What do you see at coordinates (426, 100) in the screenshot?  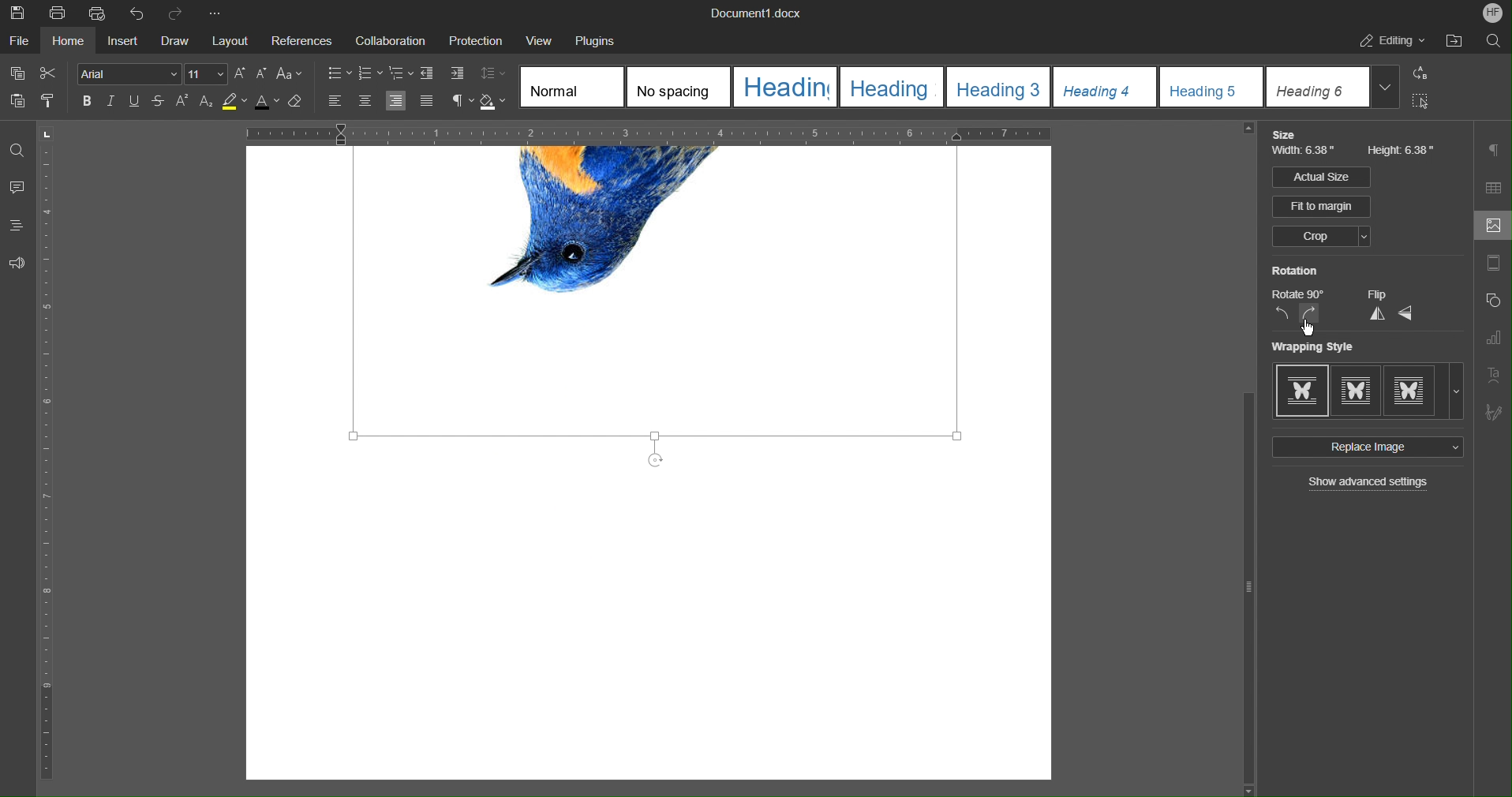 I see `Justify` at bounding box center [426, 100].